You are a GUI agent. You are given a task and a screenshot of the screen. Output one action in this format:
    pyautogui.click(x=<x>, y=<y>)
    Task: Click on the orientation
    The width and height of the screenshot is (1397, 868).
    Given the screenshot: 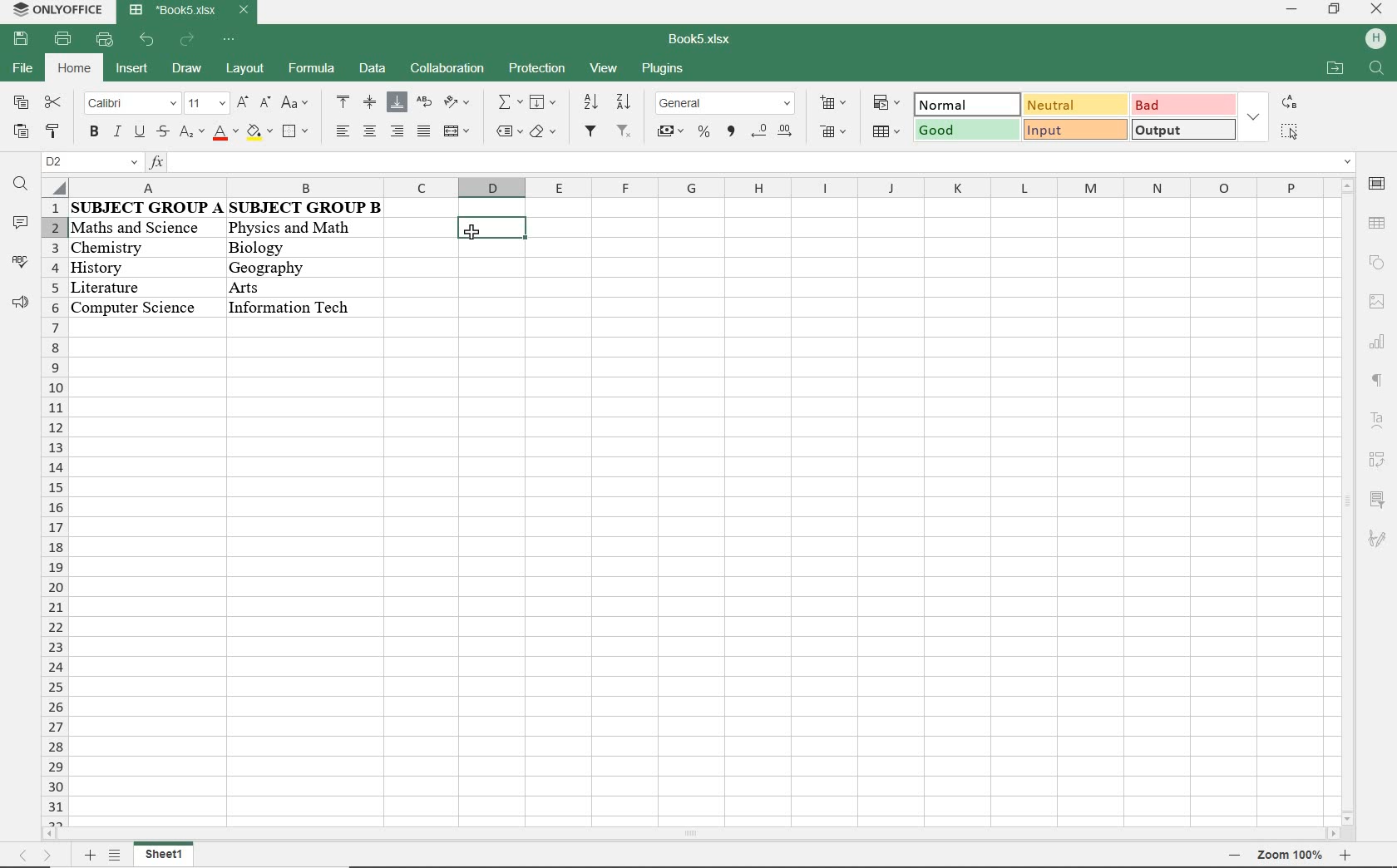 What is the action you would take?
    pyautogui.click(x=457, y=103)
    